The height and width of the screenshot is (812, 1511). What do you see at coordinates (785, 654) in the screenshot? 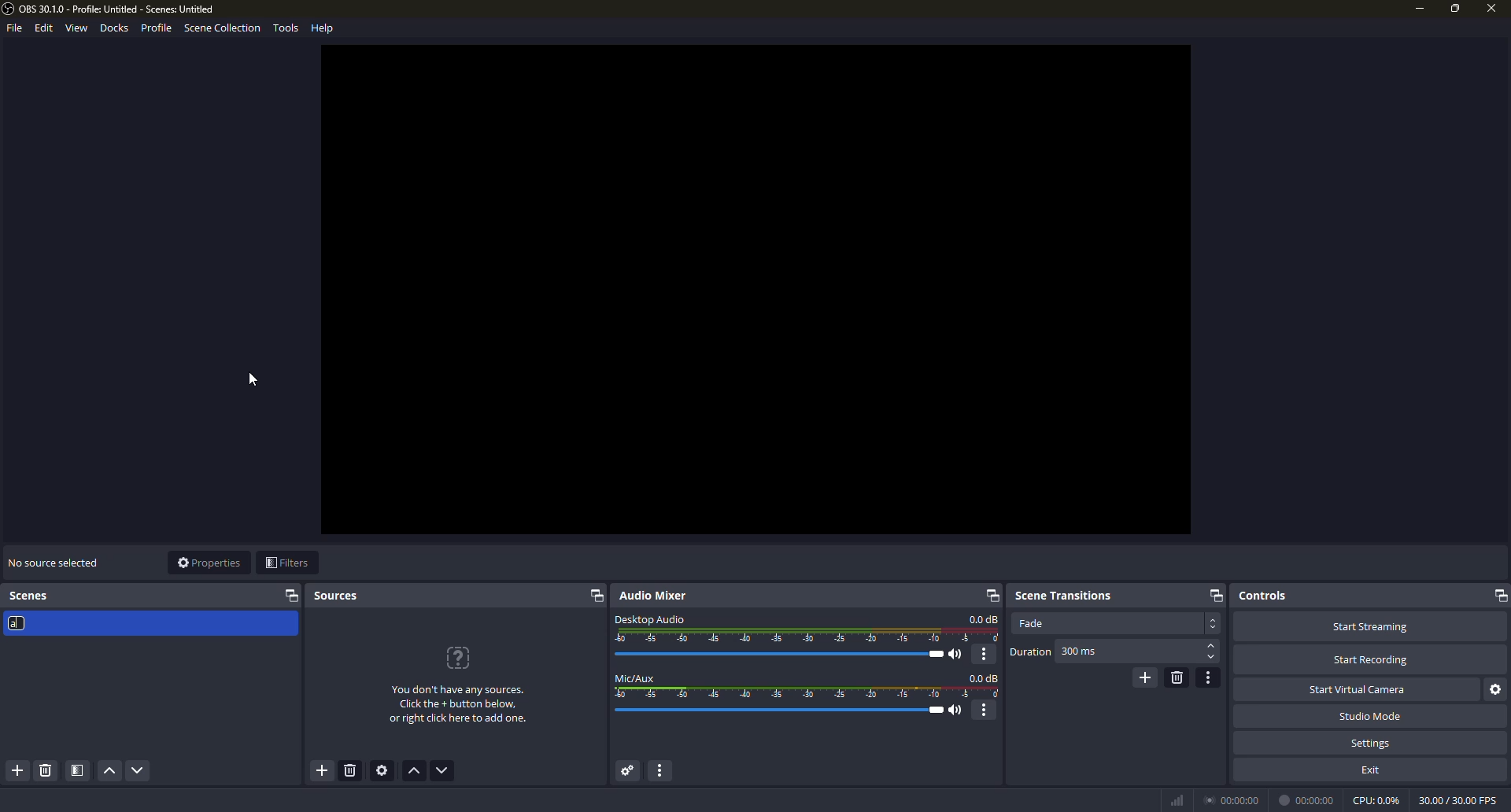
I see `volume` at bounding box center [785, 654].